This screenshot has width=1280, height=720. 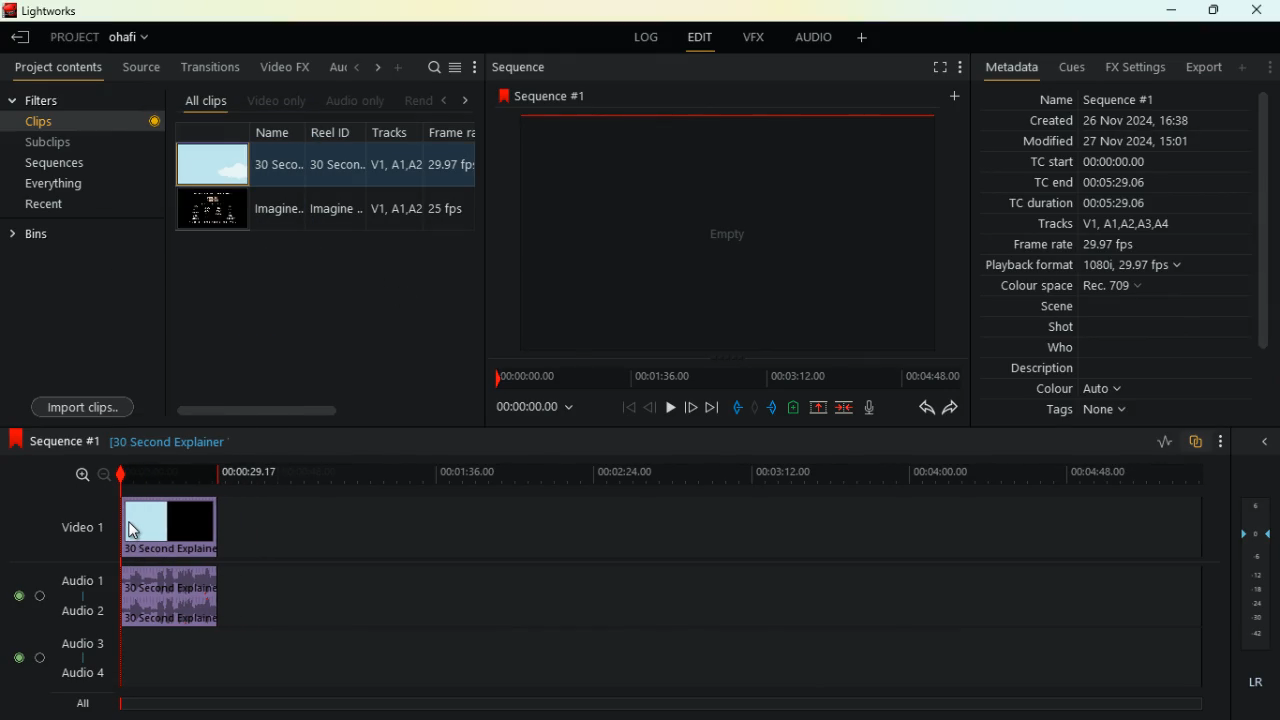 What do you see at coordinates (1169, 11) in the screenshot?
I see `minimize` at bounding box center [1169, 11].